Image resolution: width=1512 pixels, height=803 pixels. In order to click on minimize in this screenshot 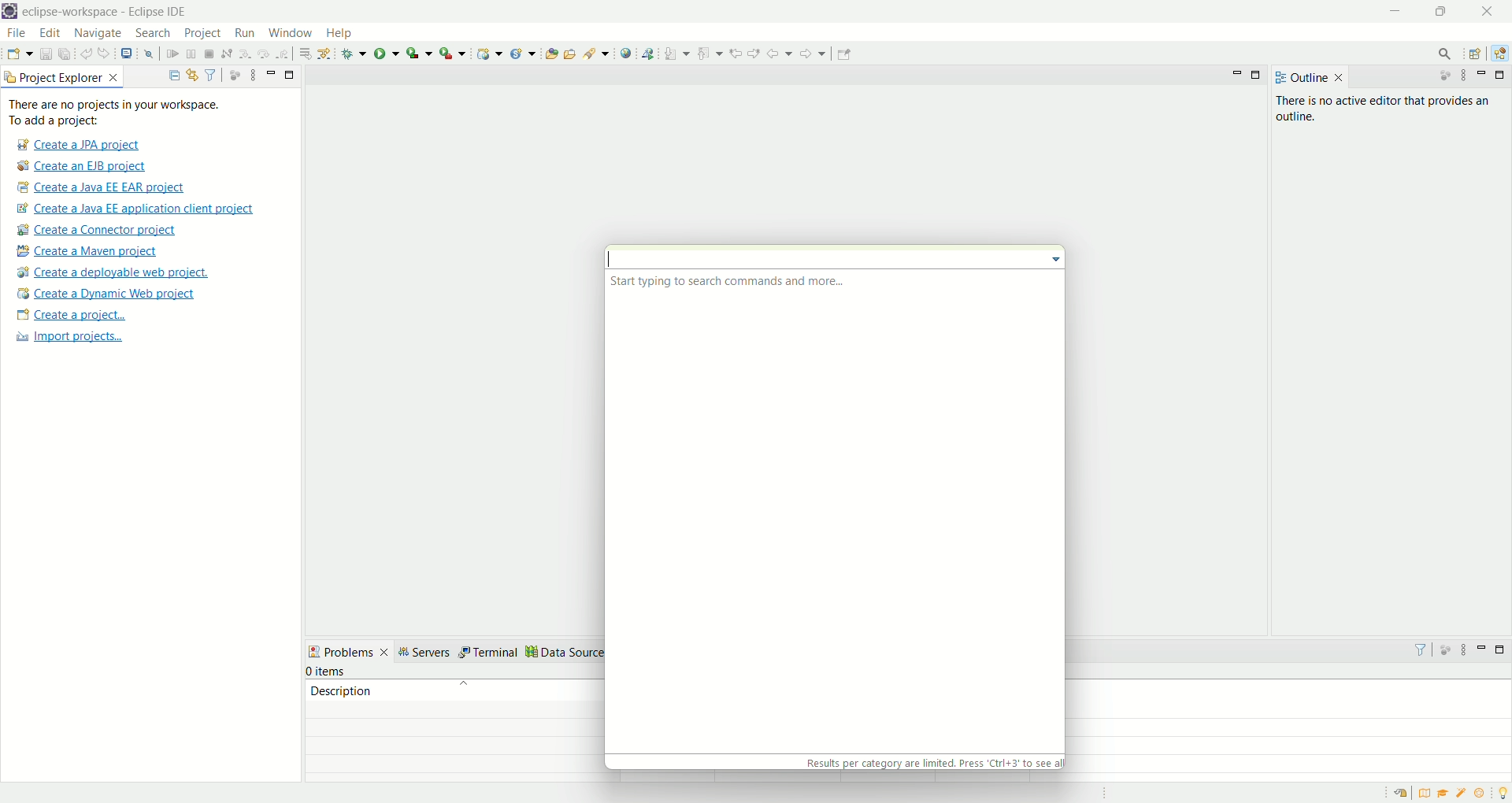, I will do `click(1393, 9)`.